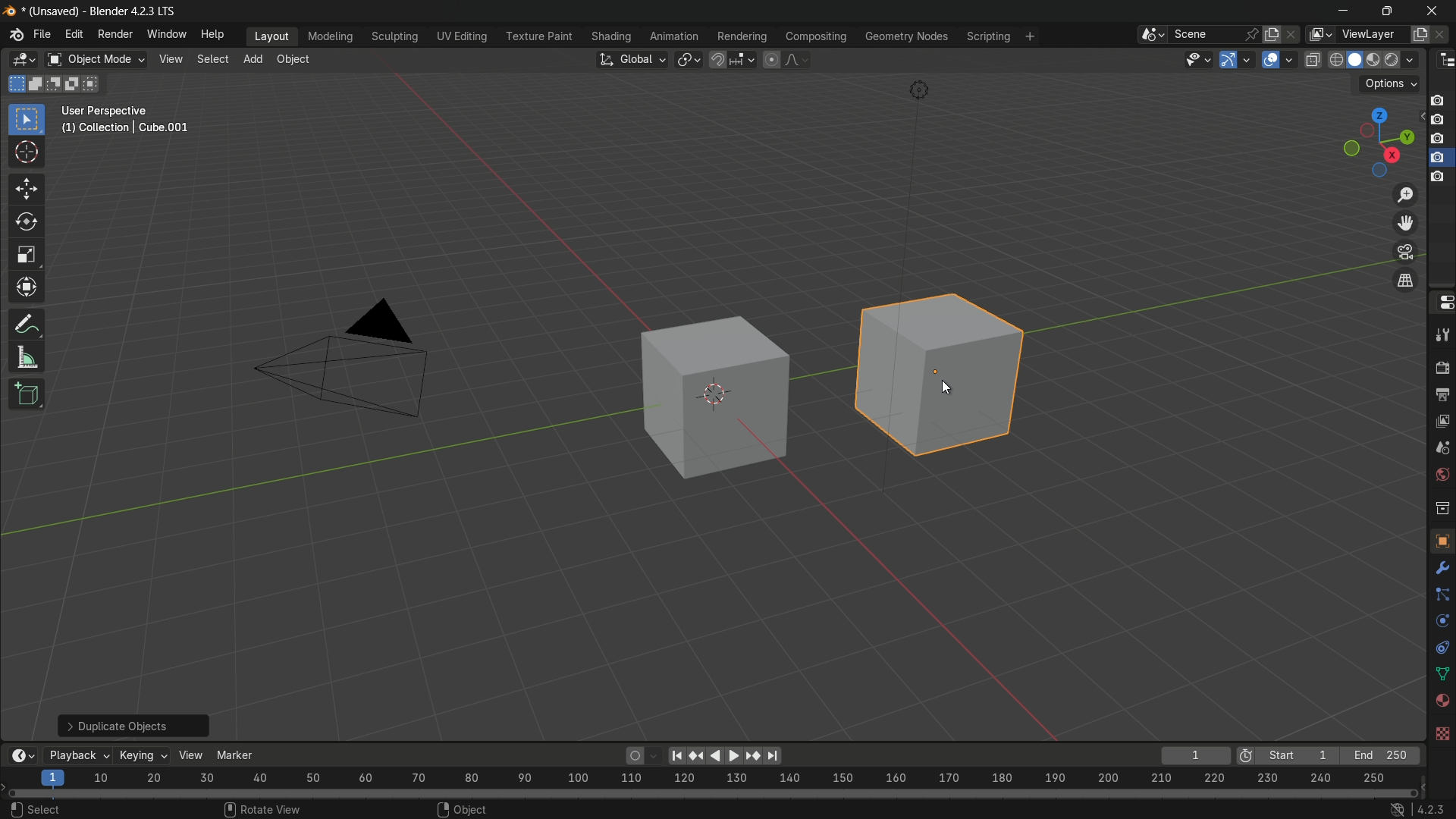 The image size is (1456, 819). I want to click on B Ser Snap Ease, so click(385, 808).